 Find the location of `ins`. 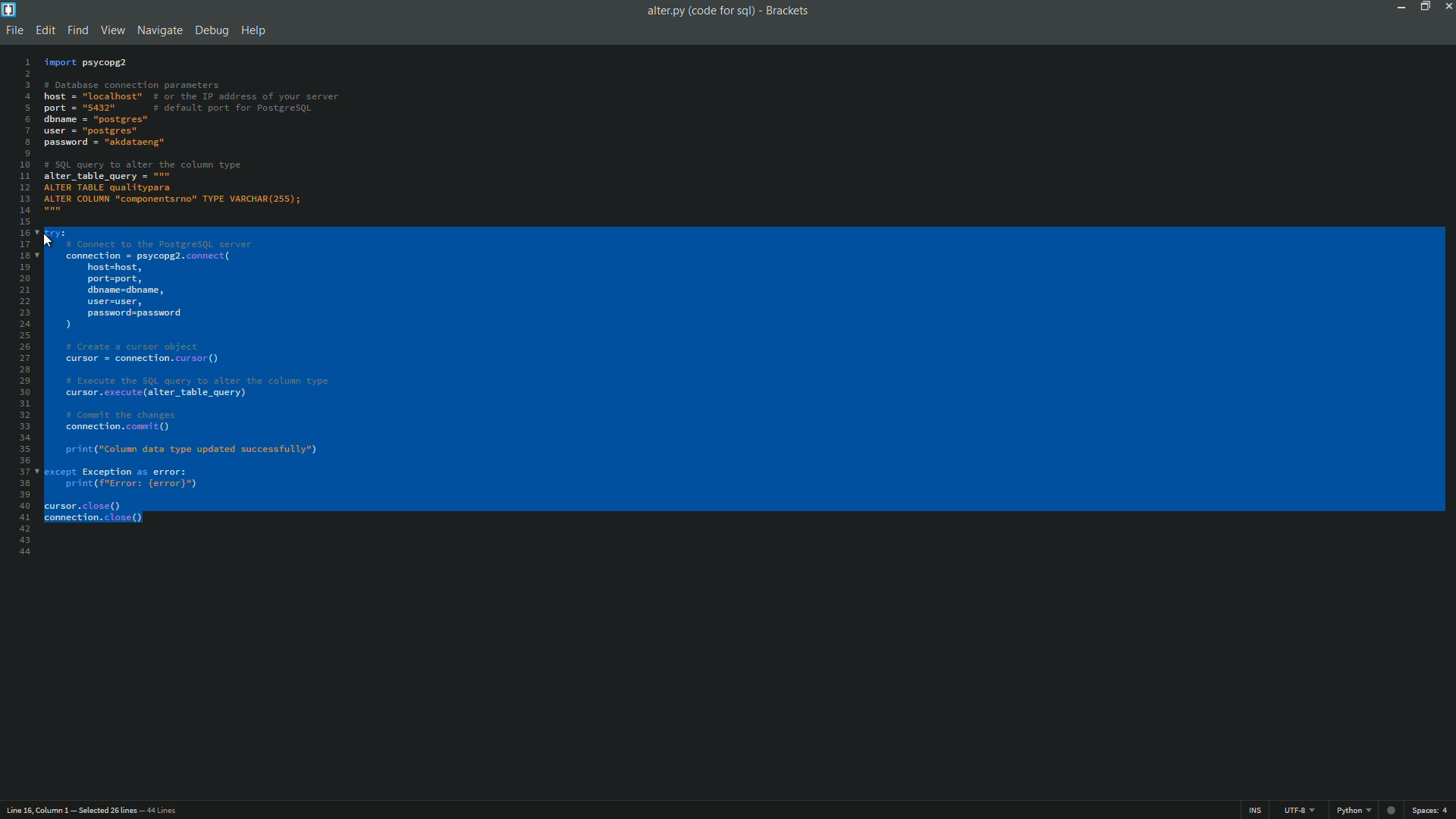

ins is located at coordinates (1254, 812).